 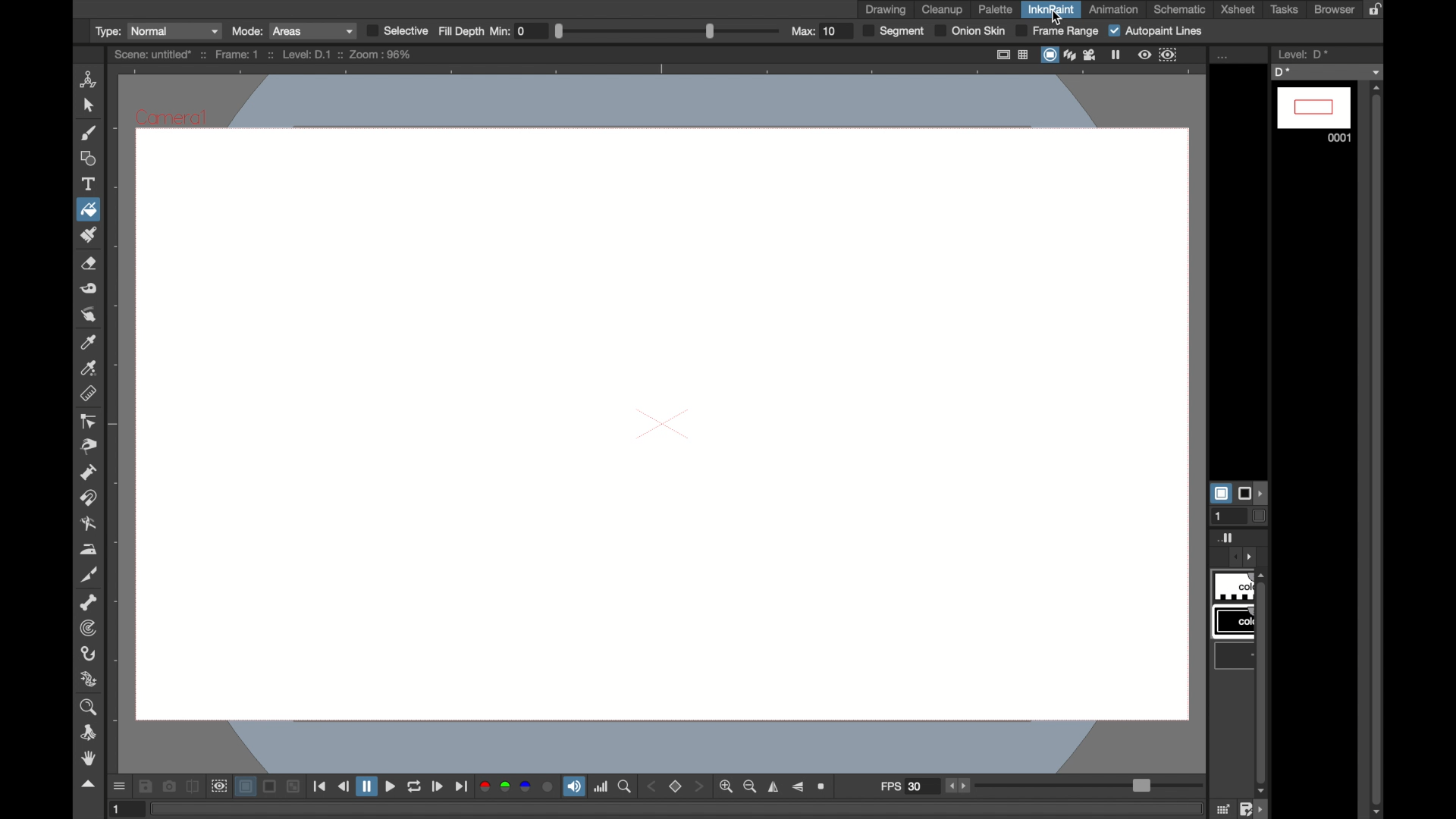 I want to click on paint brush tool, so click(x=87, y=133).